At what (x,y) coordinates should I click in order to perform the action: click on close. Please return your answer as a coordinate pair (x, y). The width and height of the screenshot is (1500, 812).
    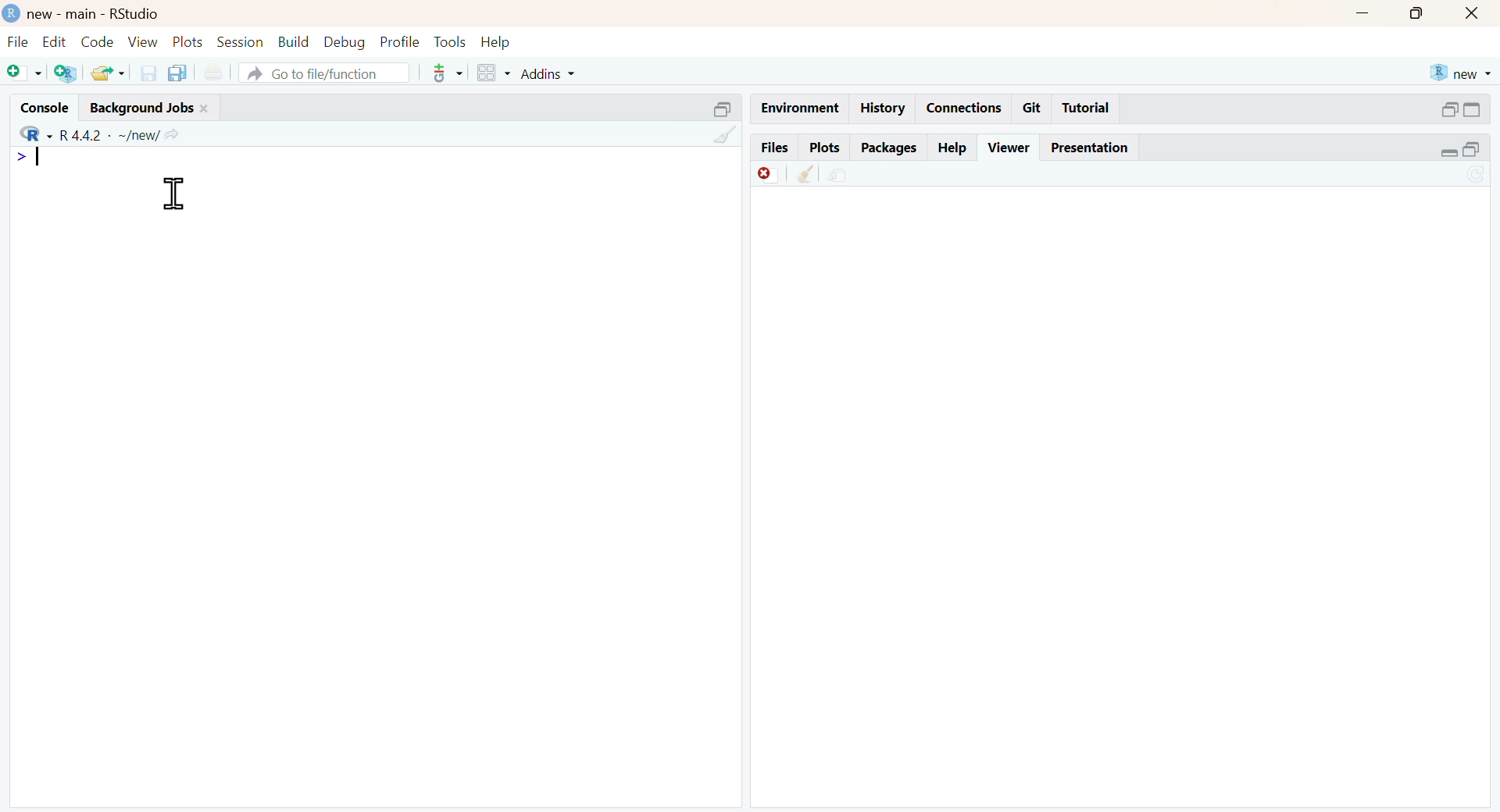
    Looking at the image, I should click on (205, 109).